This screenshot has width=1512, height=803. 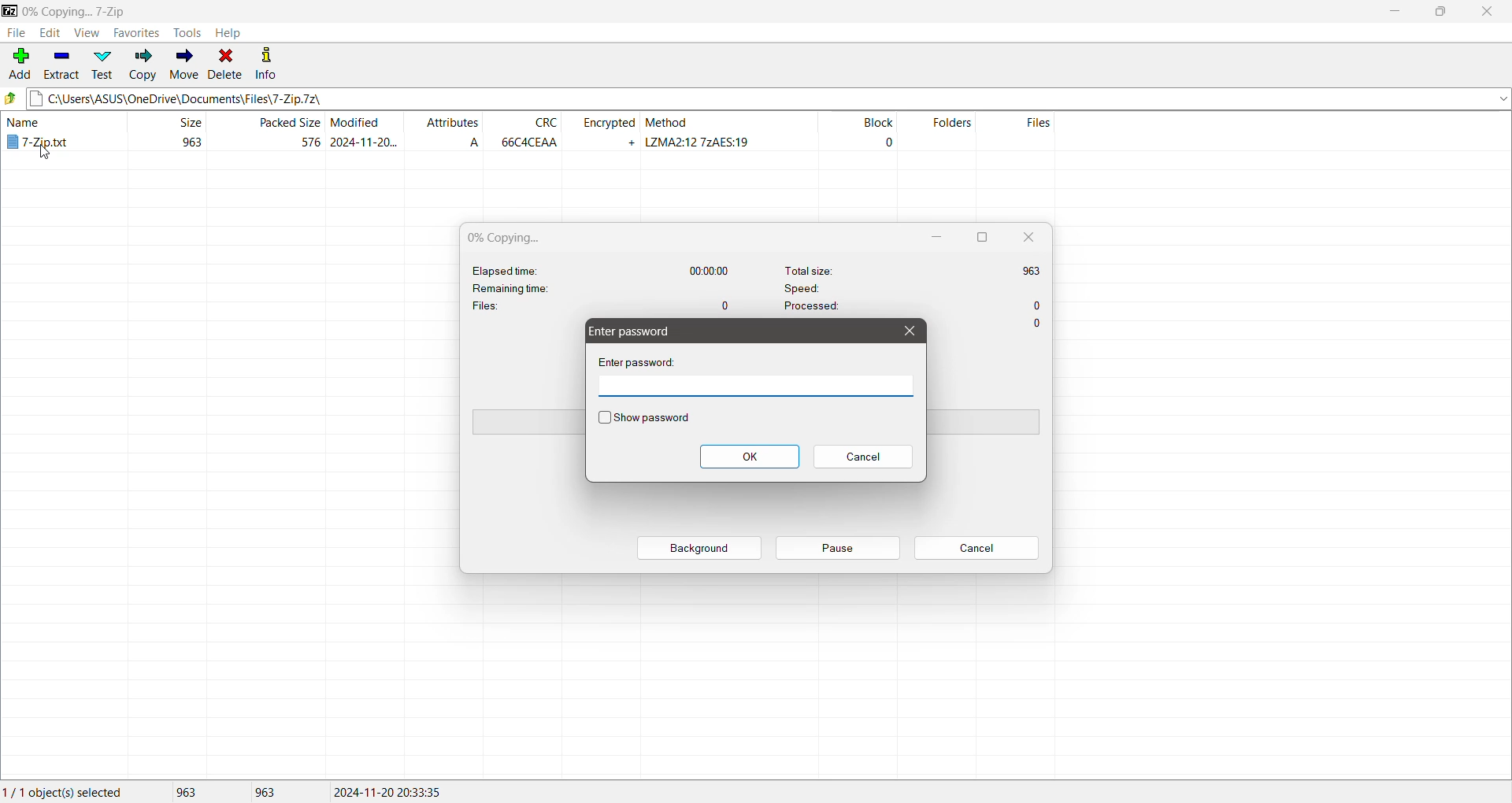 What do you see at coordinates (905, 287) in the screenshot?
I see `Speed` at bounding box center [905, 287].